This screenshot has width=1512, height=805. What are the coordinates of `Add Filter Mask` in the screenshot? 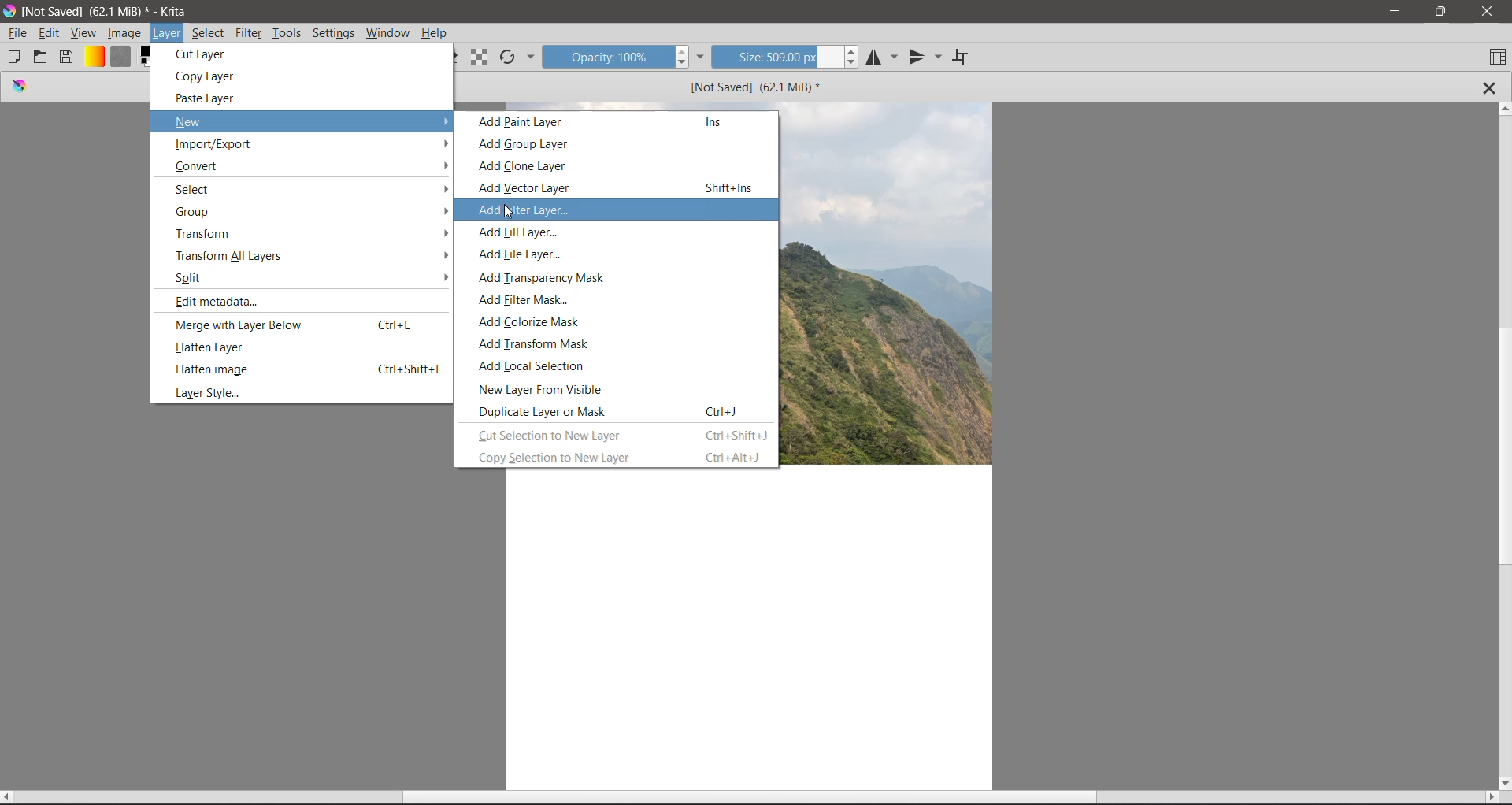 It's located at (525, 299).